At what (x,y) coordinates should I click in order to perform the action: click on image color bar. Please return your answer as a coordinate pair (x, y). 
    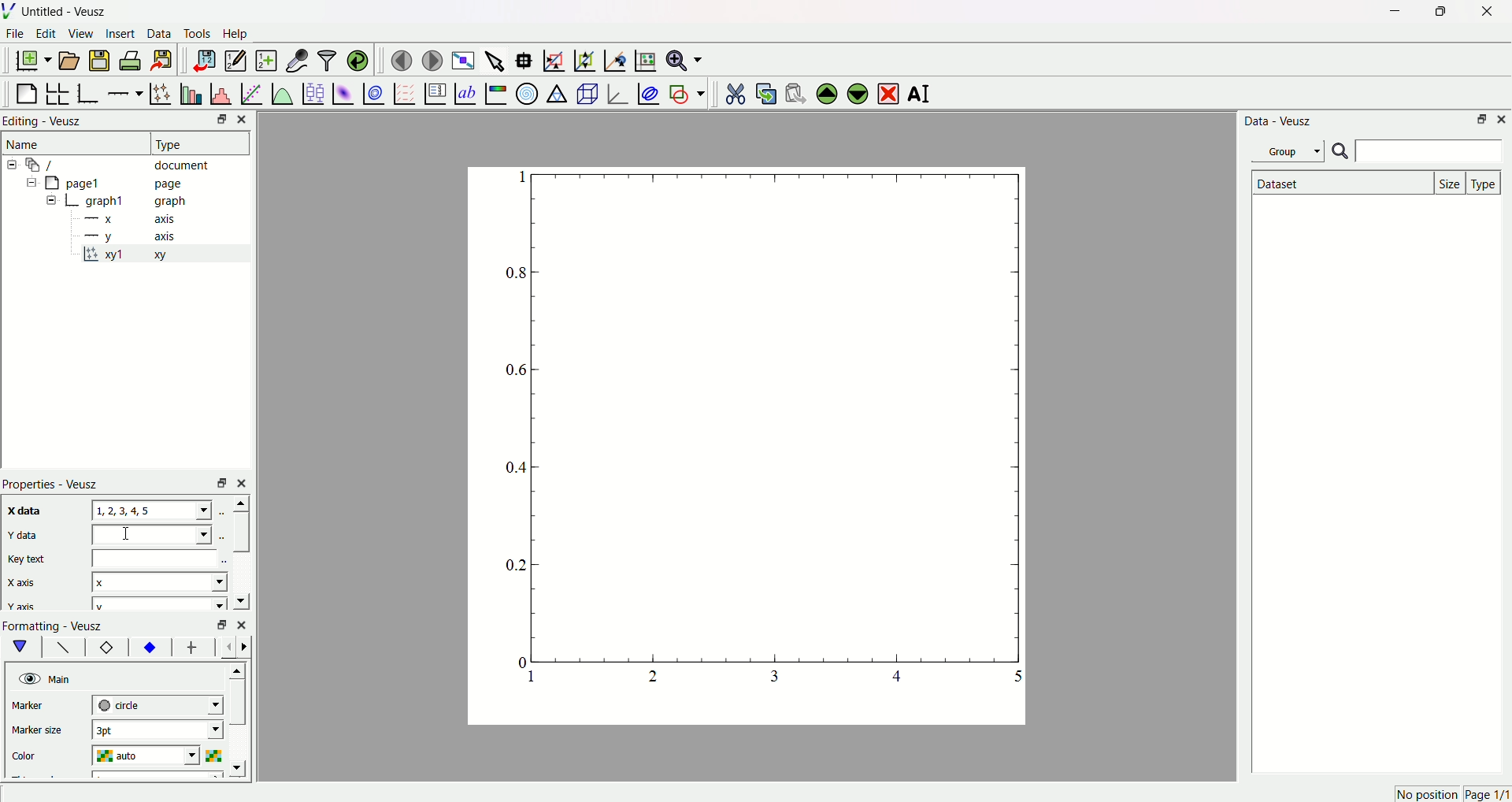
    Looking at the image, I should click on (495, 93).